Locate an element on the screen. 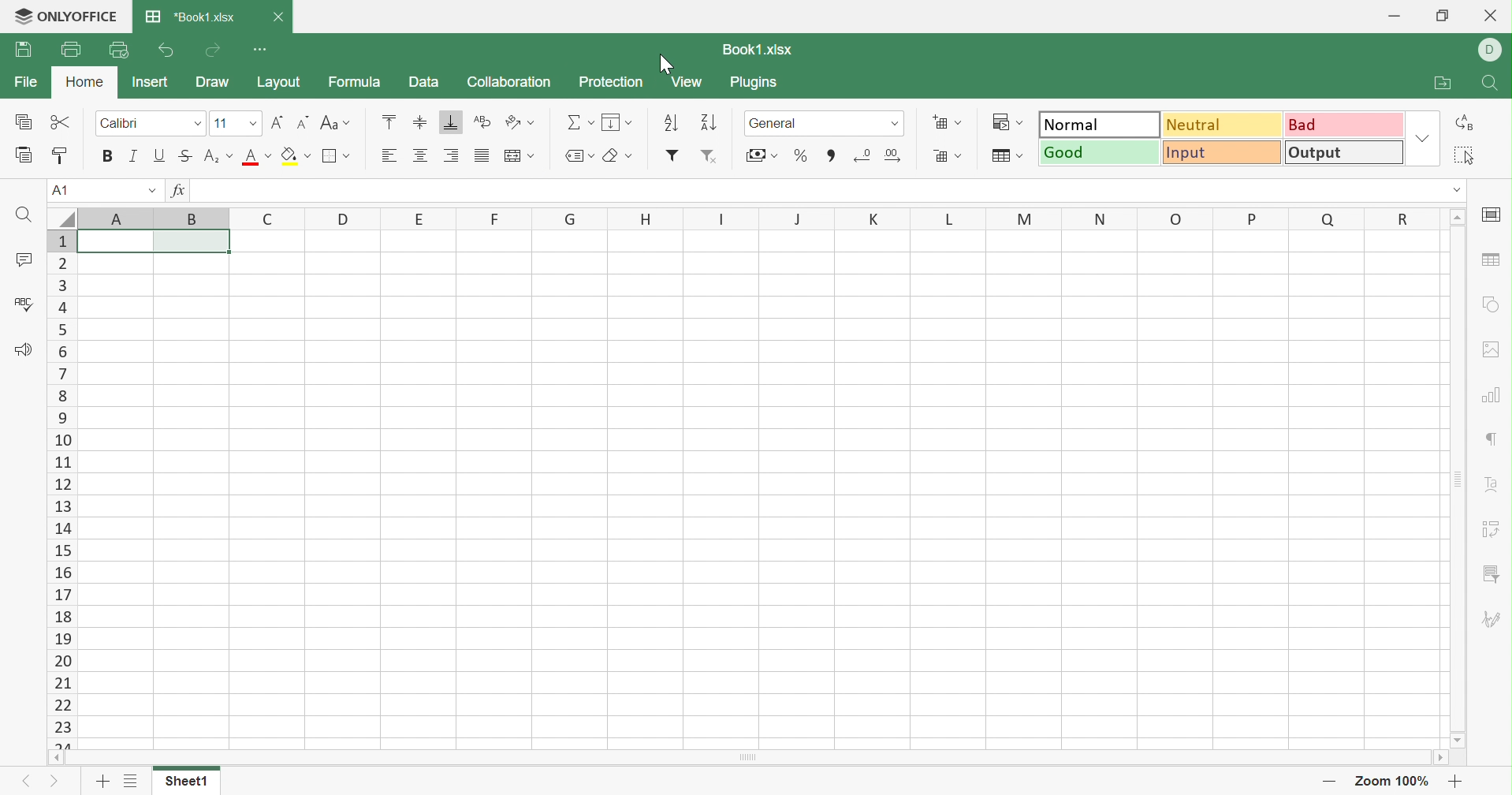 The image size is (1512, 795). Zoom out is located at coordinates (1332, 780).